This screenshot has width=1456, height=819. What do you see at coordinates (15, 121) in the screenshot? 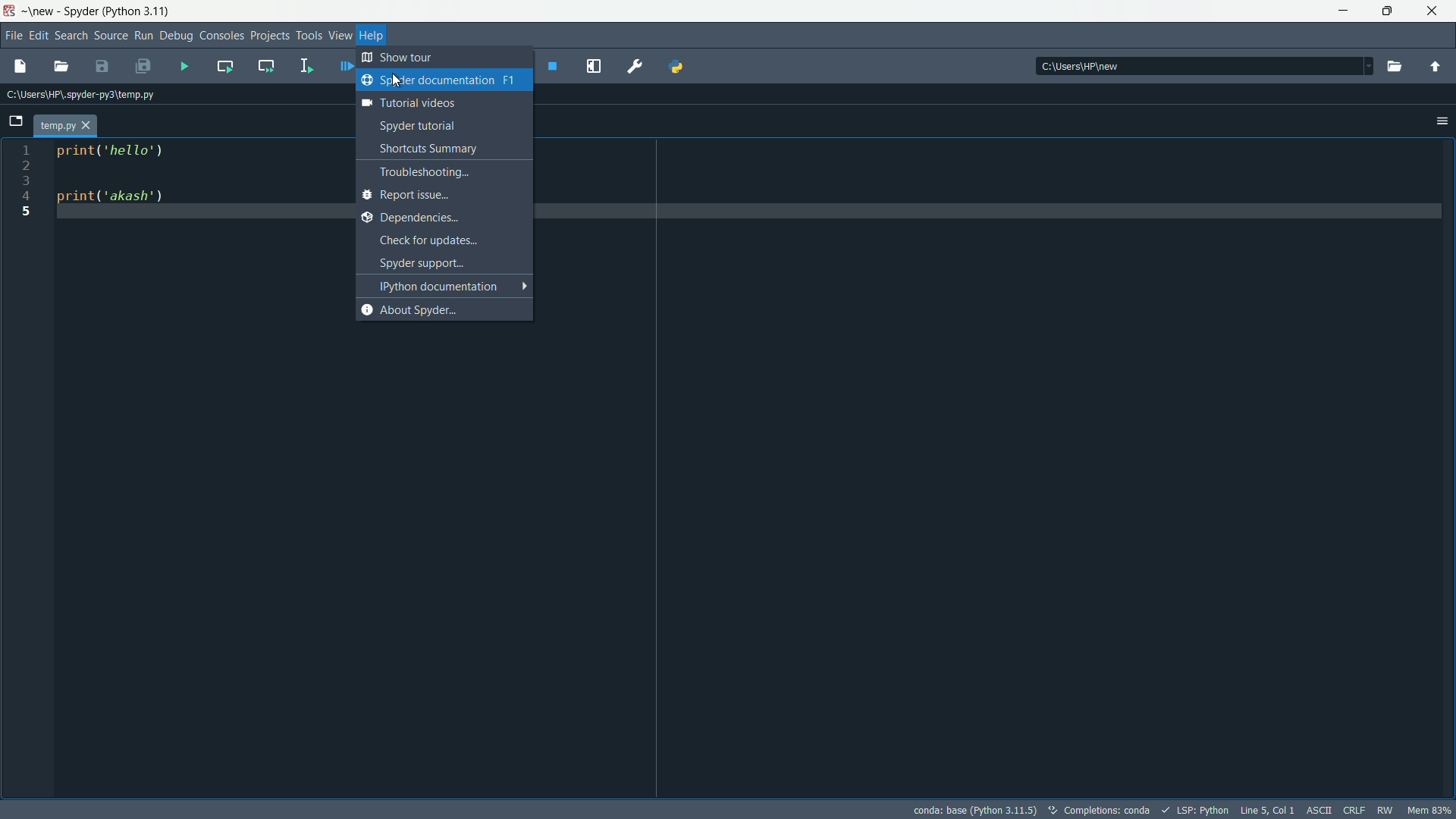
I see `browse tabs` at bounding box center [15, 121].